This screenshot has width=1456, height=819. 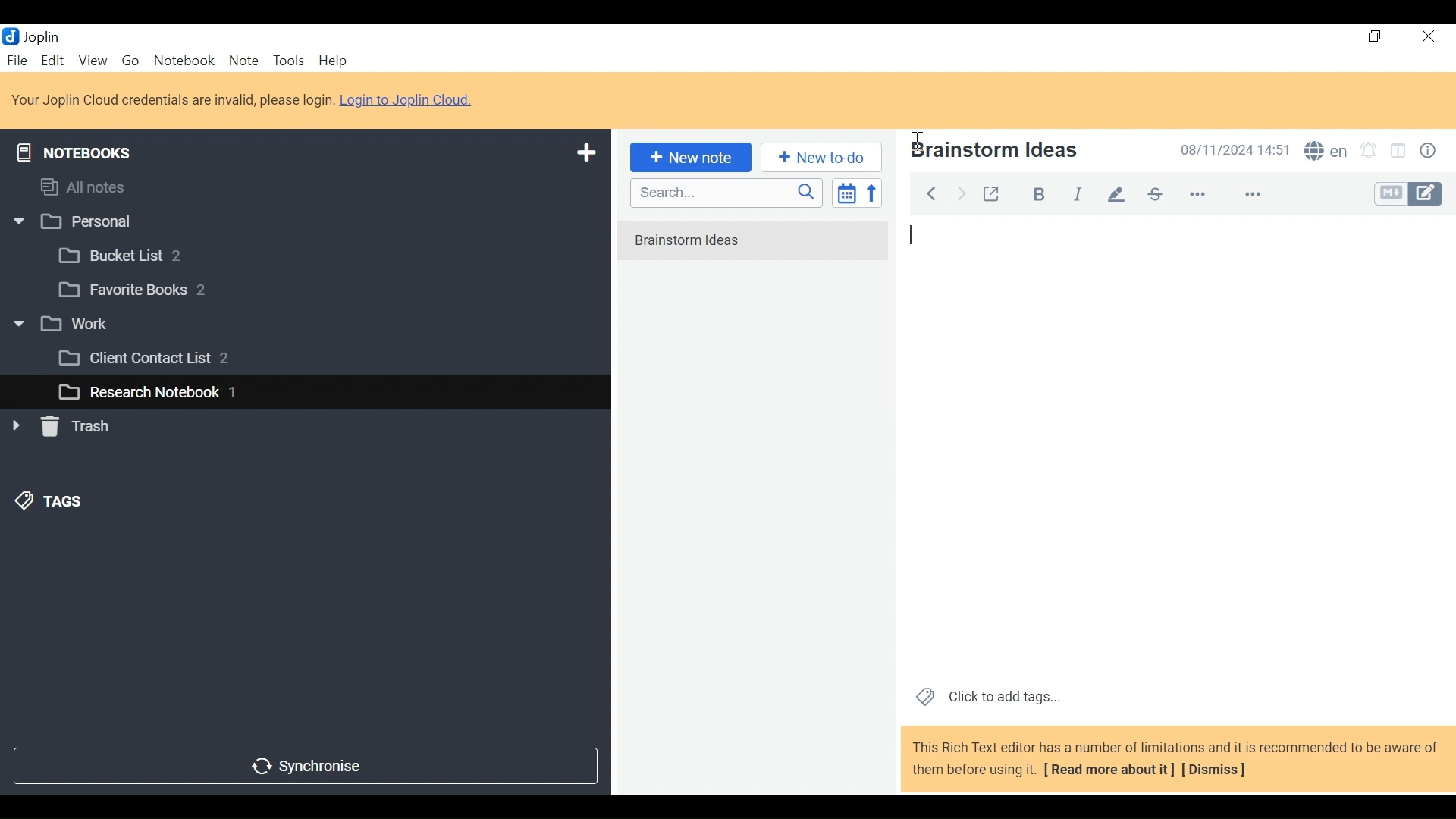 What do you see at coordinates (335, 61) in the screenshot?
I see `Help` at bounding box center [335, 61].